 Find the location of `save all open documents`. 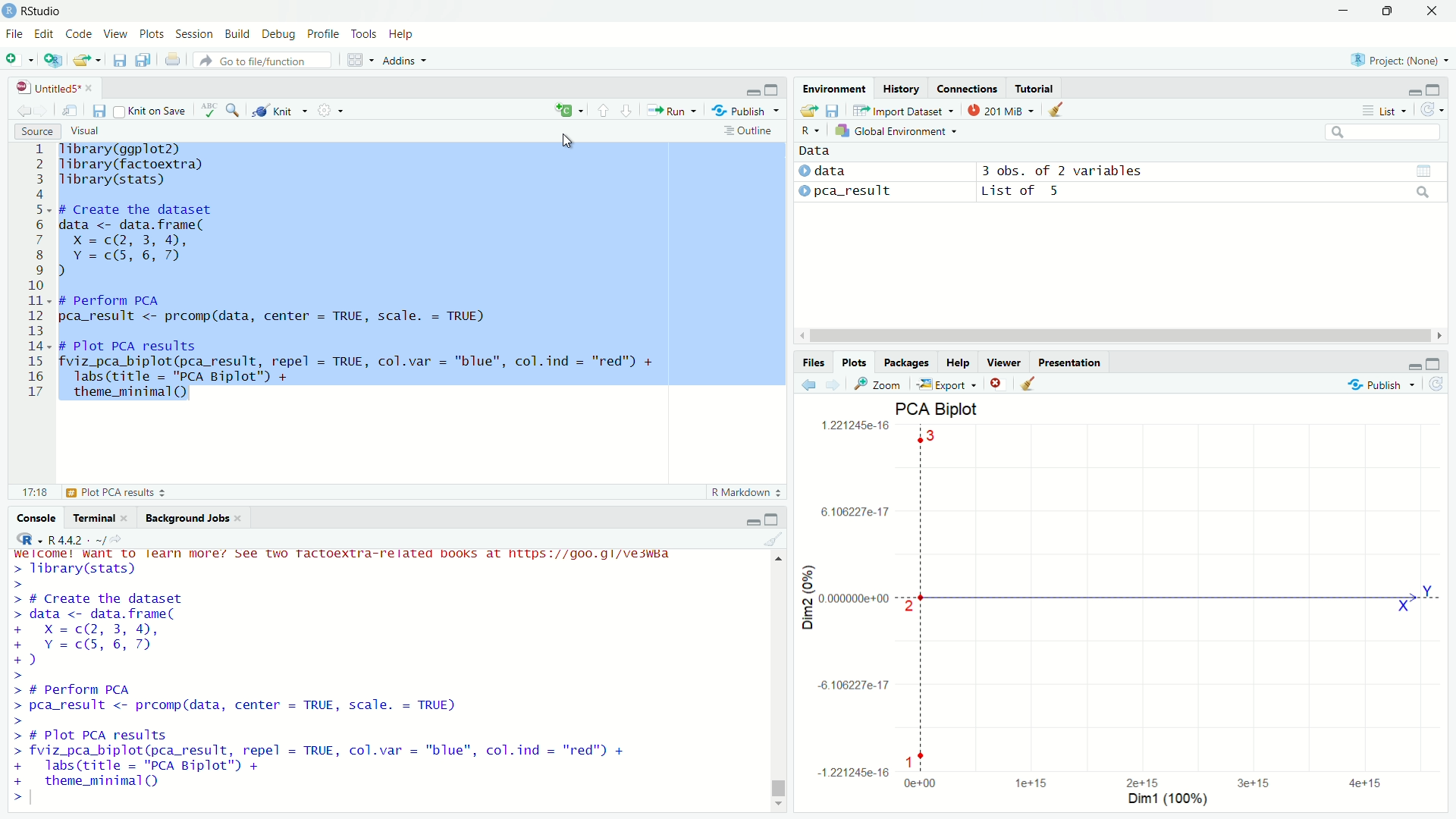

save all open documents is located at coordinates (146, 60).